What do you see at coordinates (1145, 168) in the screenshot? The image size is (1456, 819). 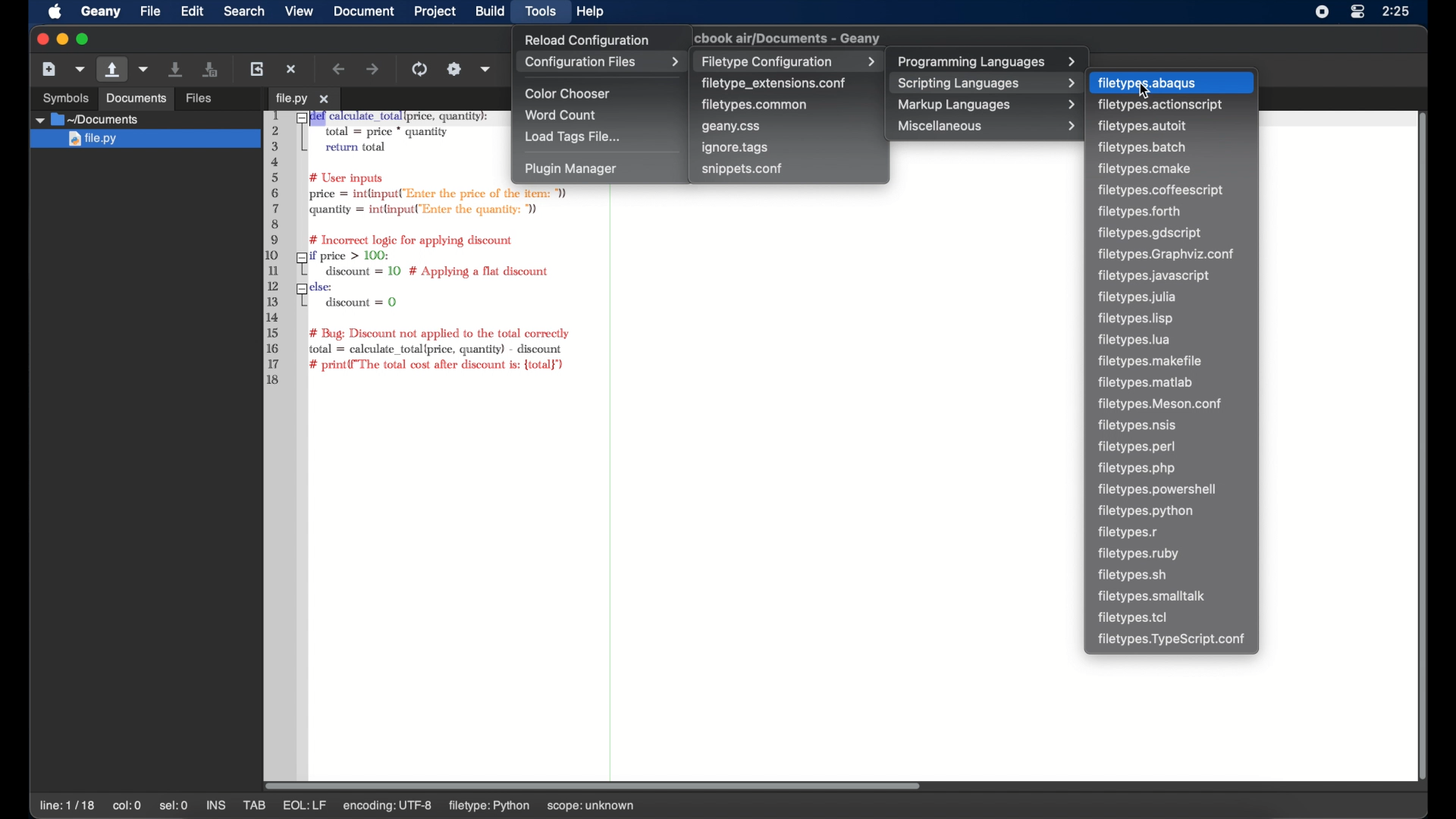 I see `filetypes` at bounding box center [1145, 168].